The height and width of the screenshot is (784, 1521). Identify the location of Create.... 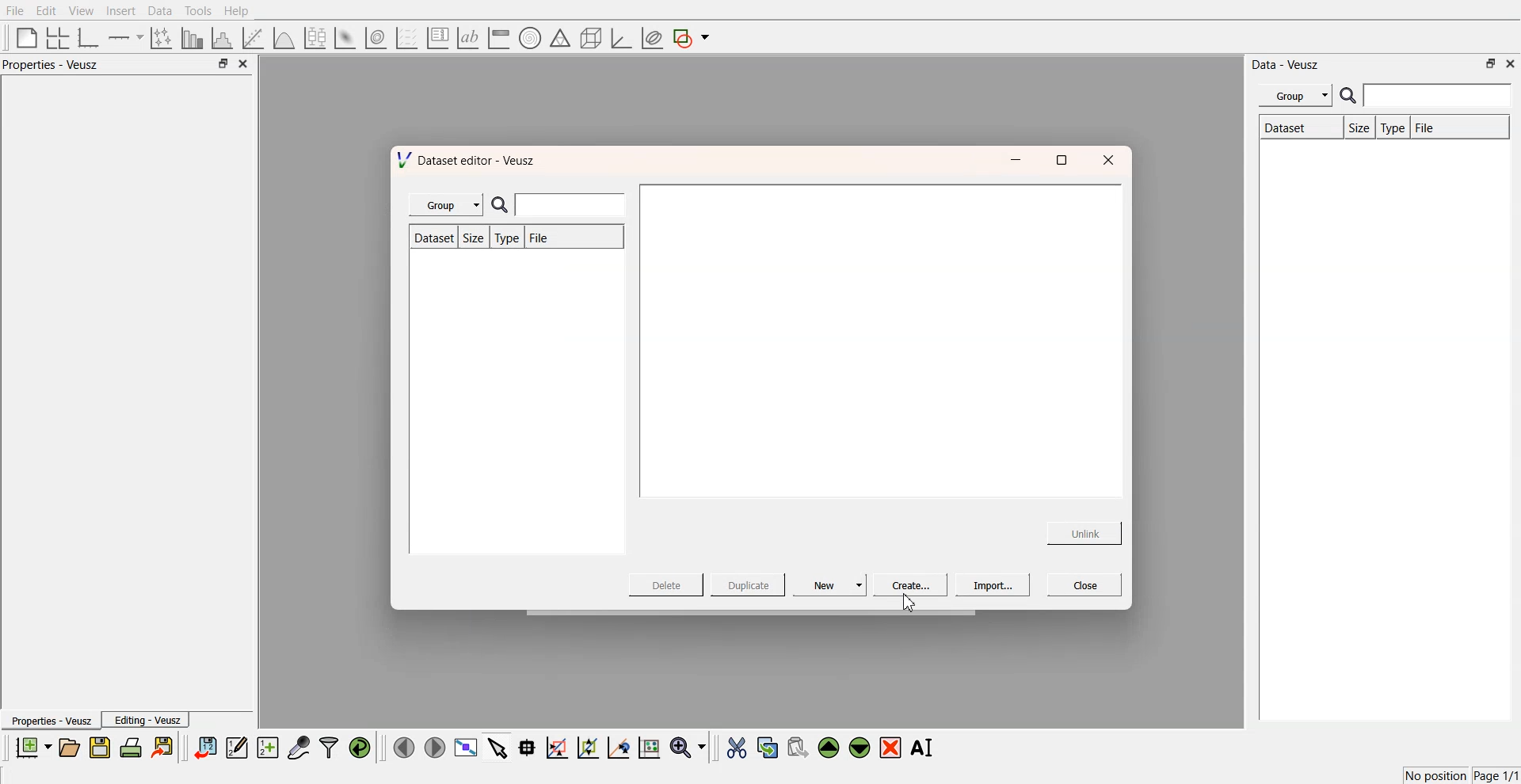
(908, 584).